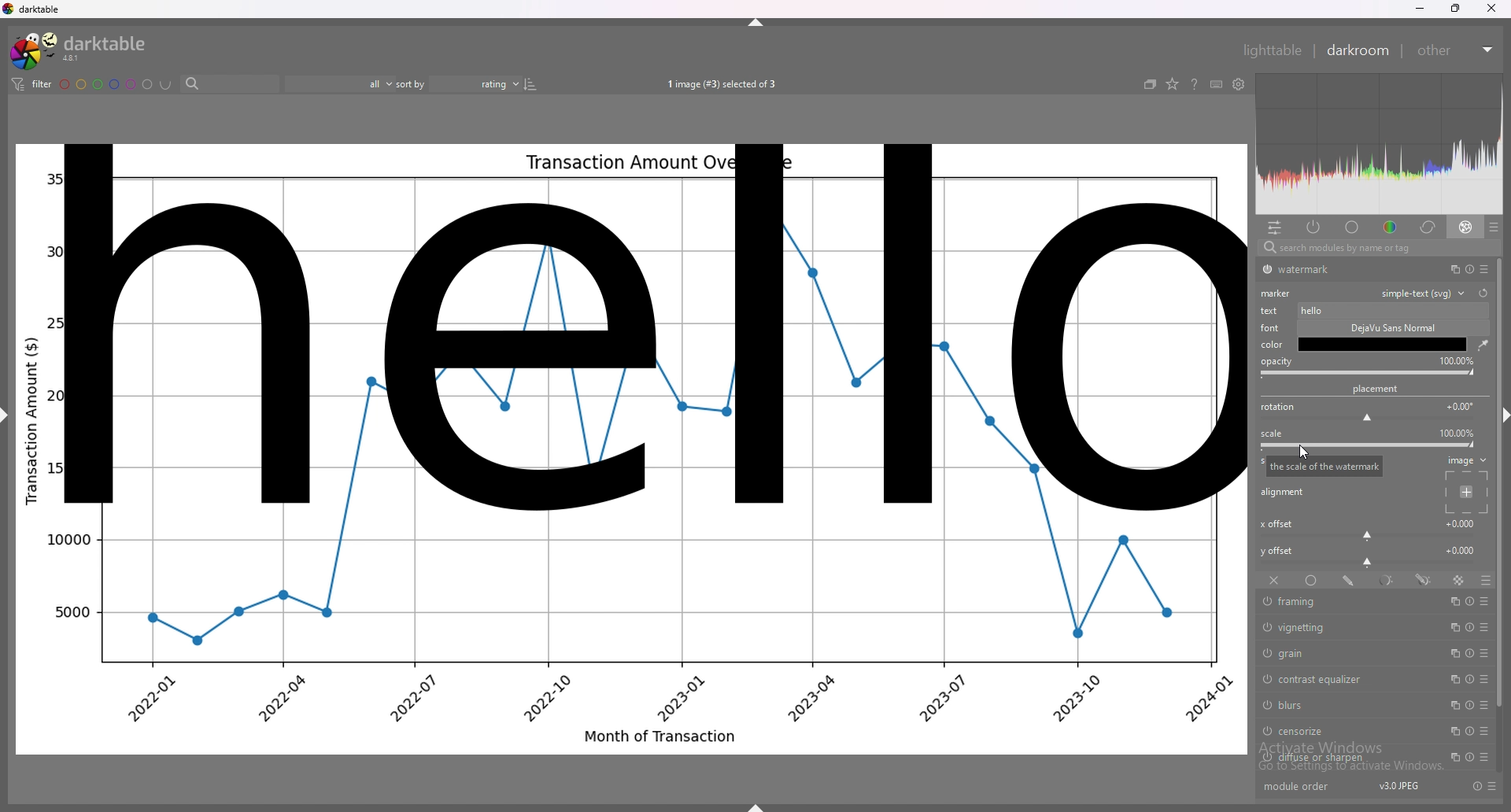 This screenshot has height=812, width=1511. Describe the element at coordinates (1502, 482) in the screenshot. I see `scroll bar` at that location.